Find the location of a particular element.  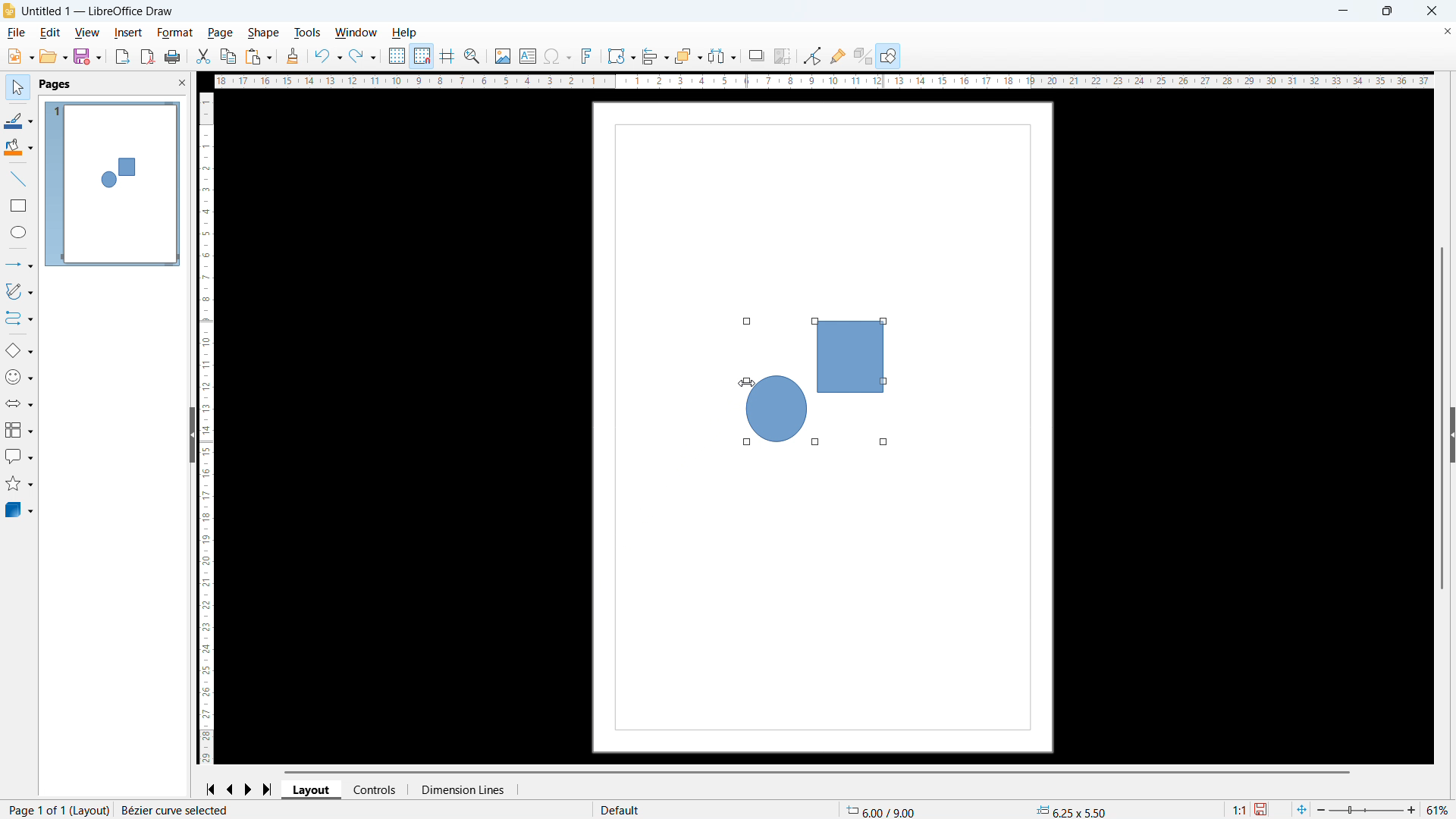

Close document  is located at coordinates (1447, 30).